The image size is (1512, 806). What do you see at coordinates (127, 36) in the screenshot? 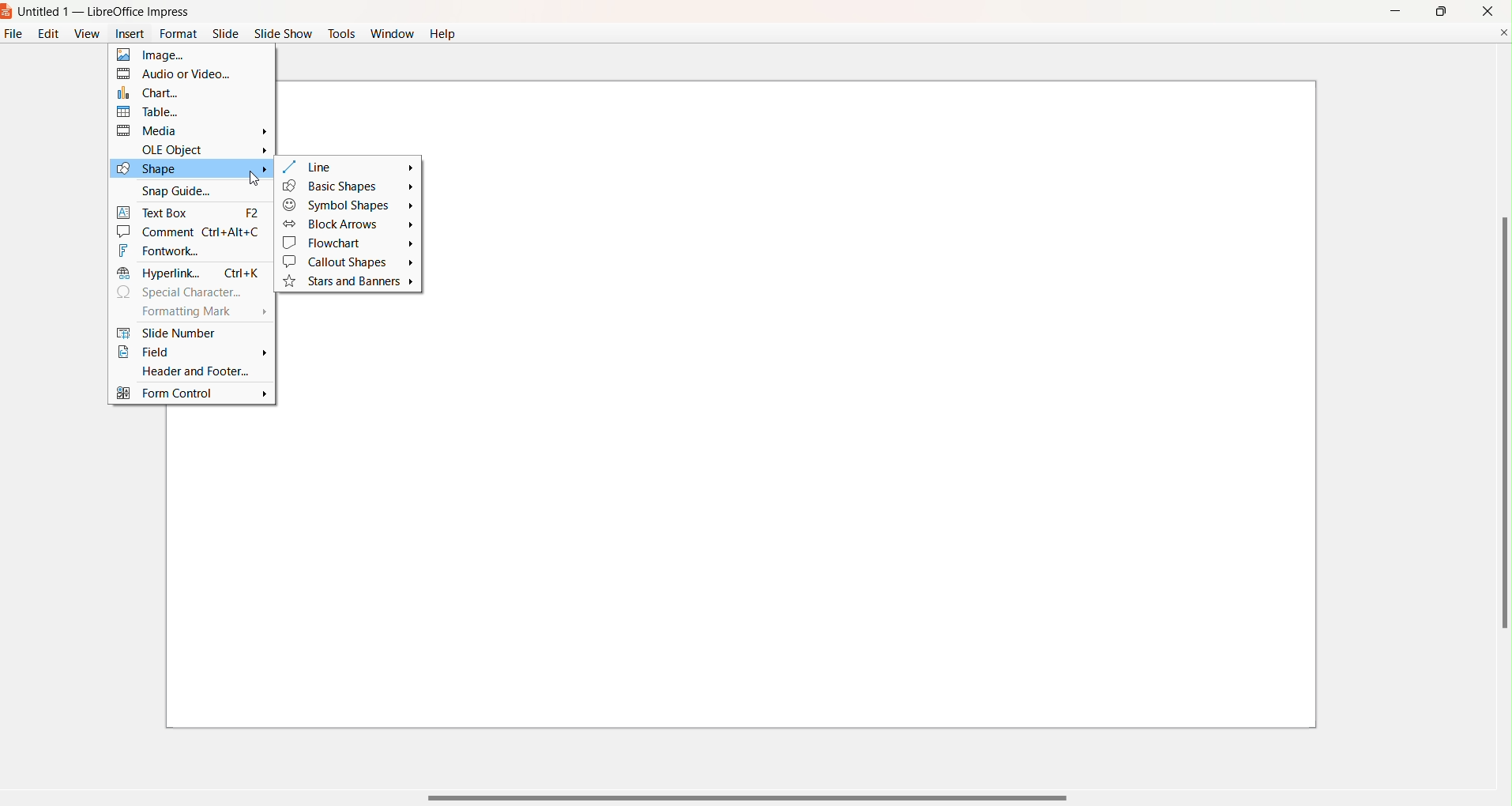
I see `Insert` at bounding box center [127, 36].